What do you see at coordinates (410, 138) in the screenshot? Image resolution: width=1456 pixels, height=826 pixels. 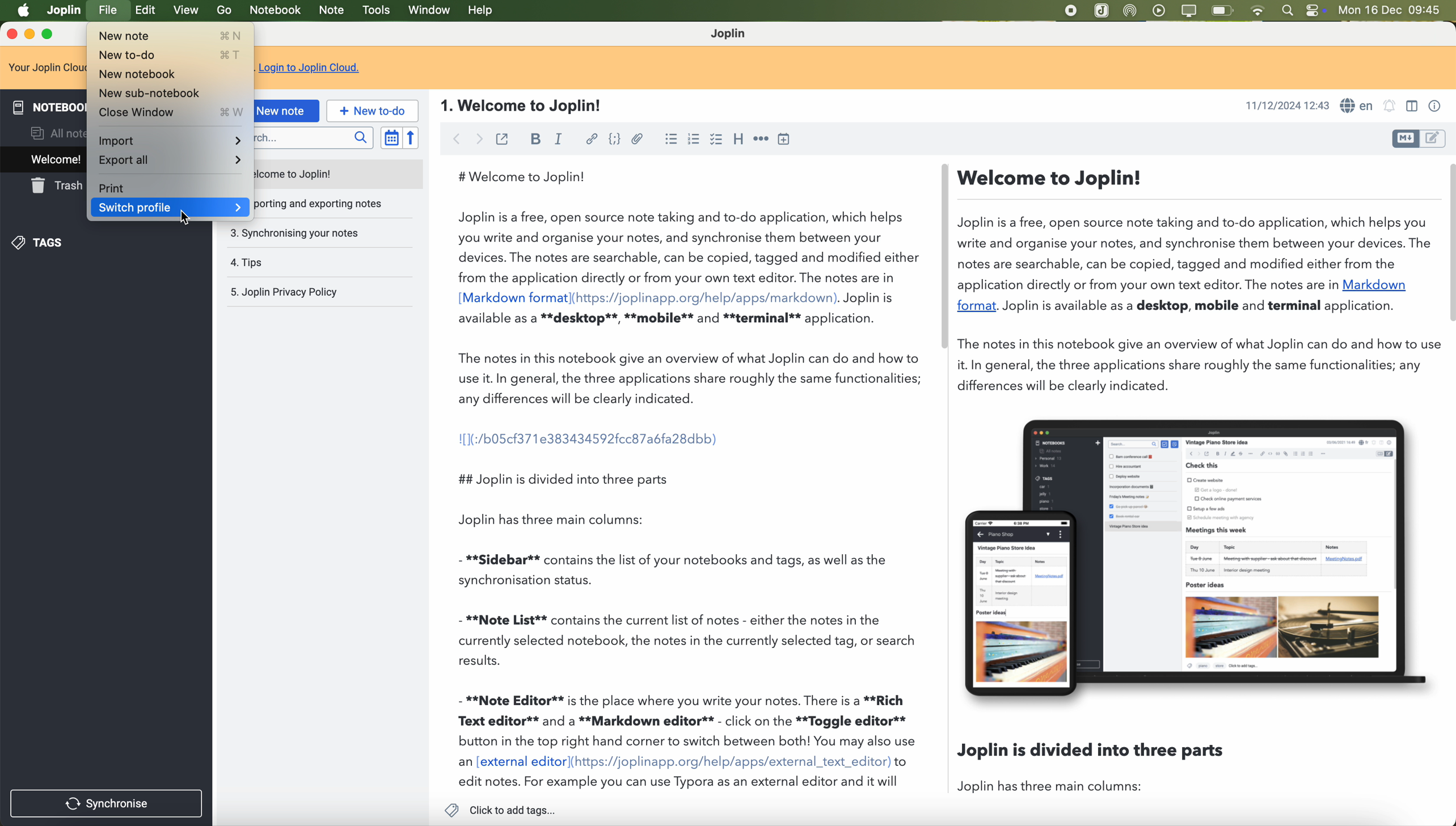 I see `reverse sort order` at bounding box center [410, 138].